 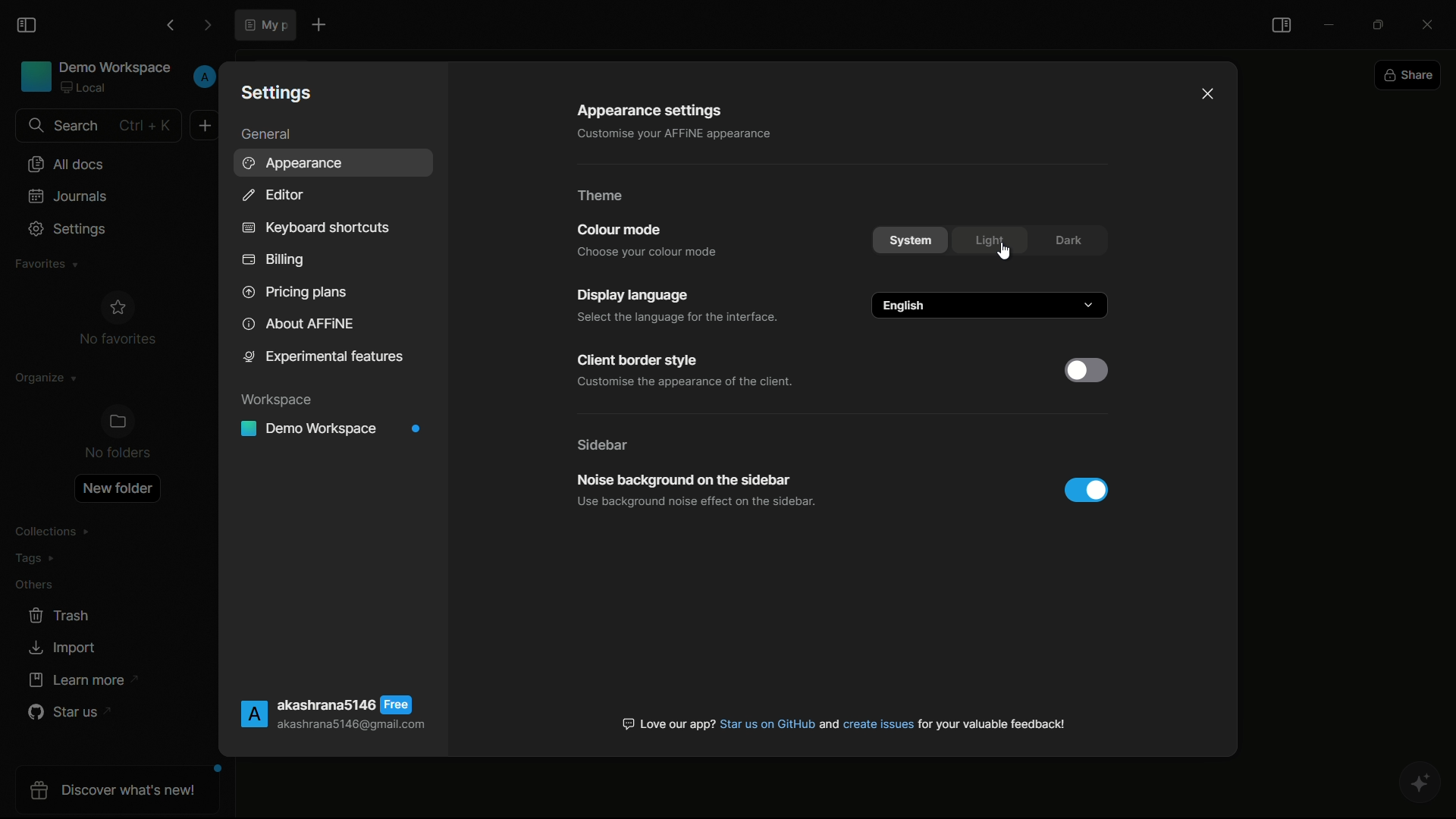 I want to click on keyboard shortcuts, so click(x=315, y=228).